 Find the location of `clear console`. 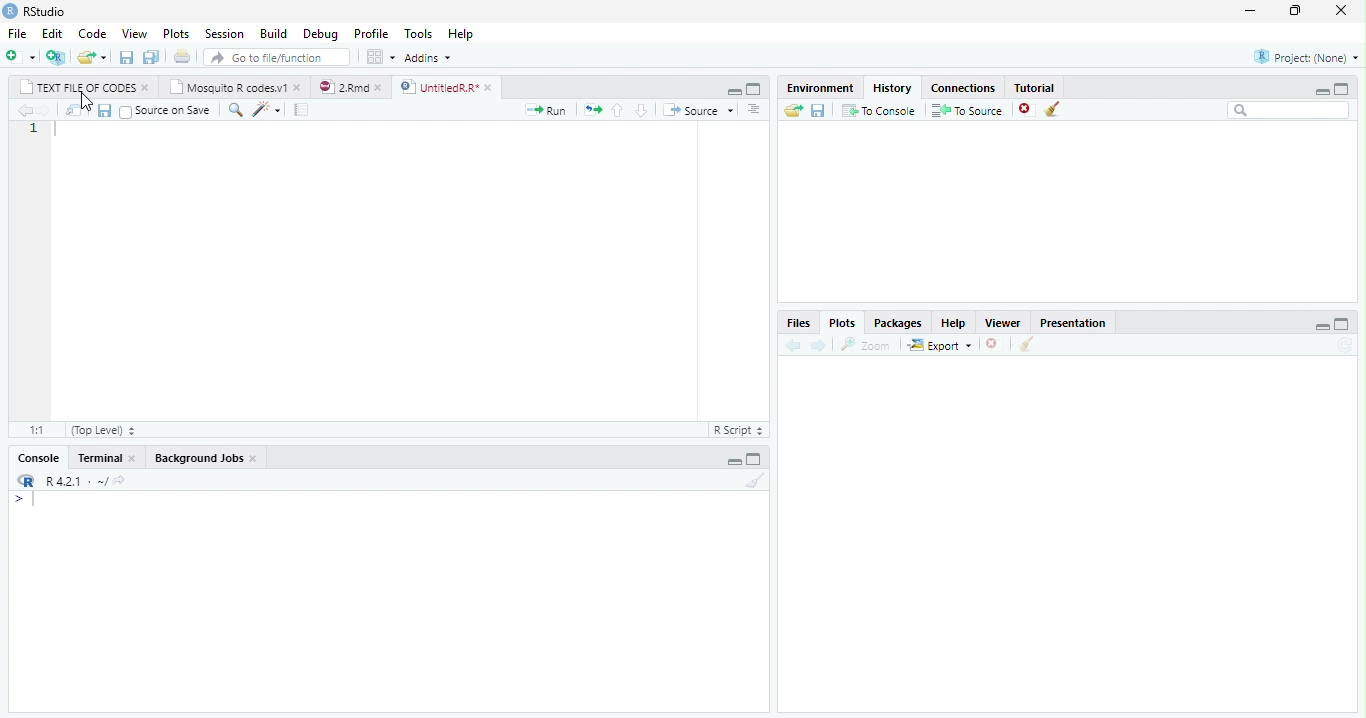

clear console is located at coordinates (754, 482).